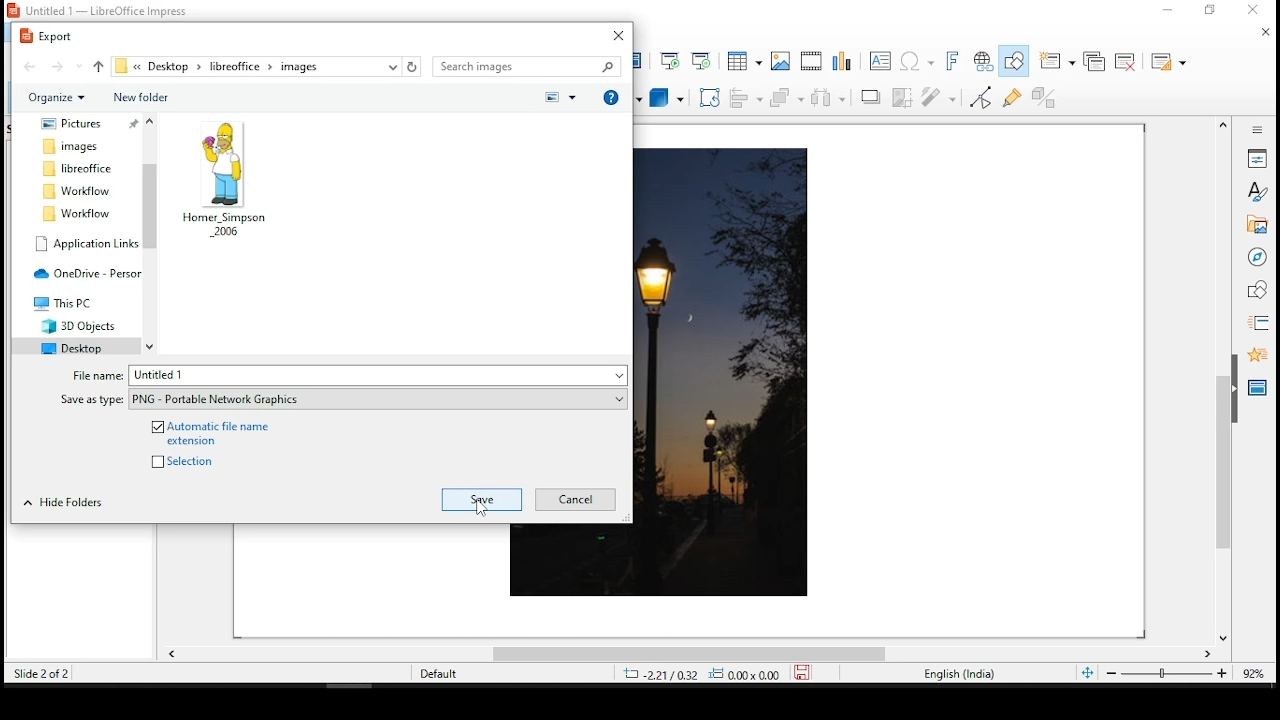 The image size is (1280, 720). Describe the element at coordinates (80, 169) in the screenshot. I see `folder` at that location.